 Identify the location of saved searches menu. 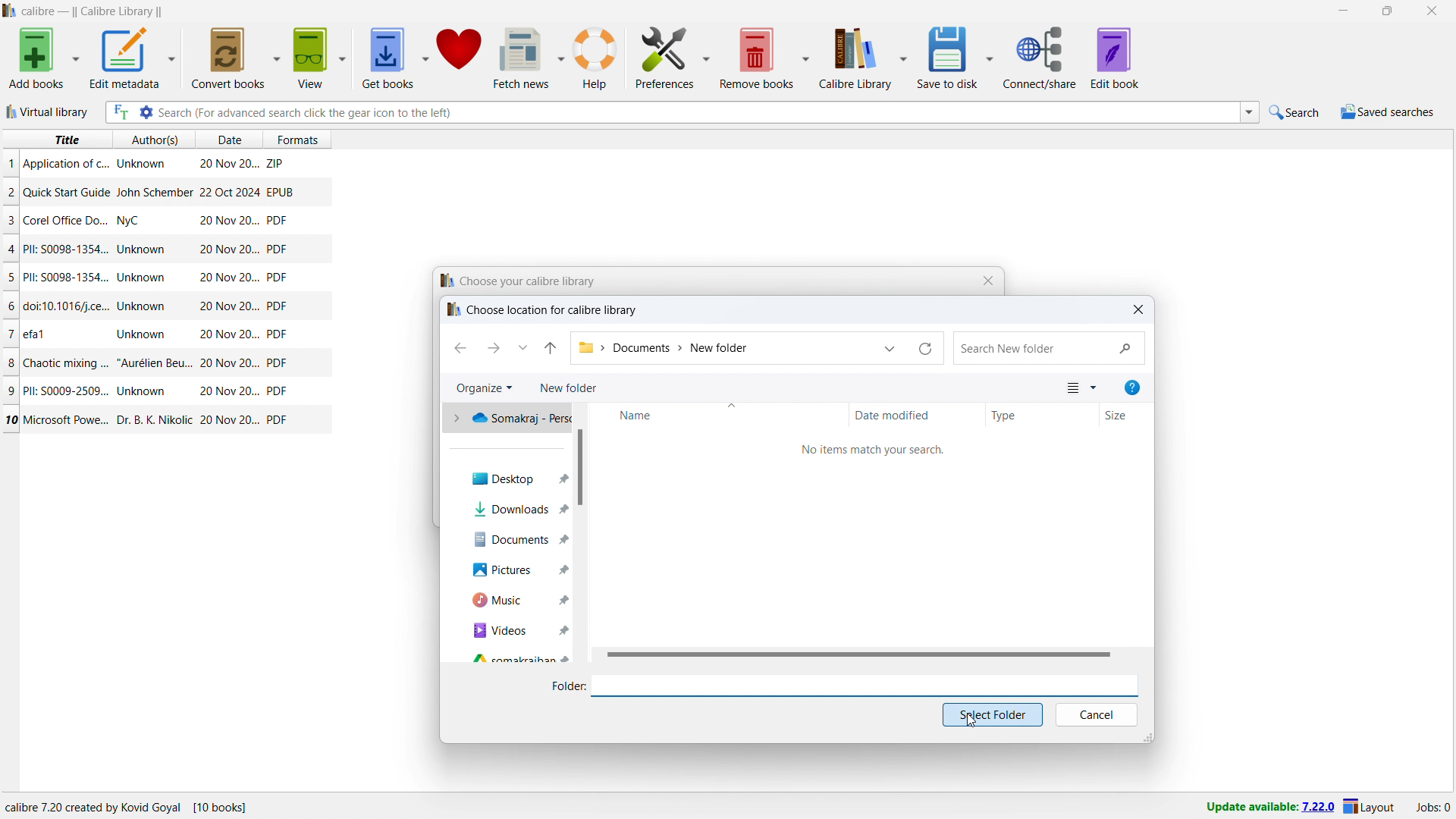
(1387, 112).